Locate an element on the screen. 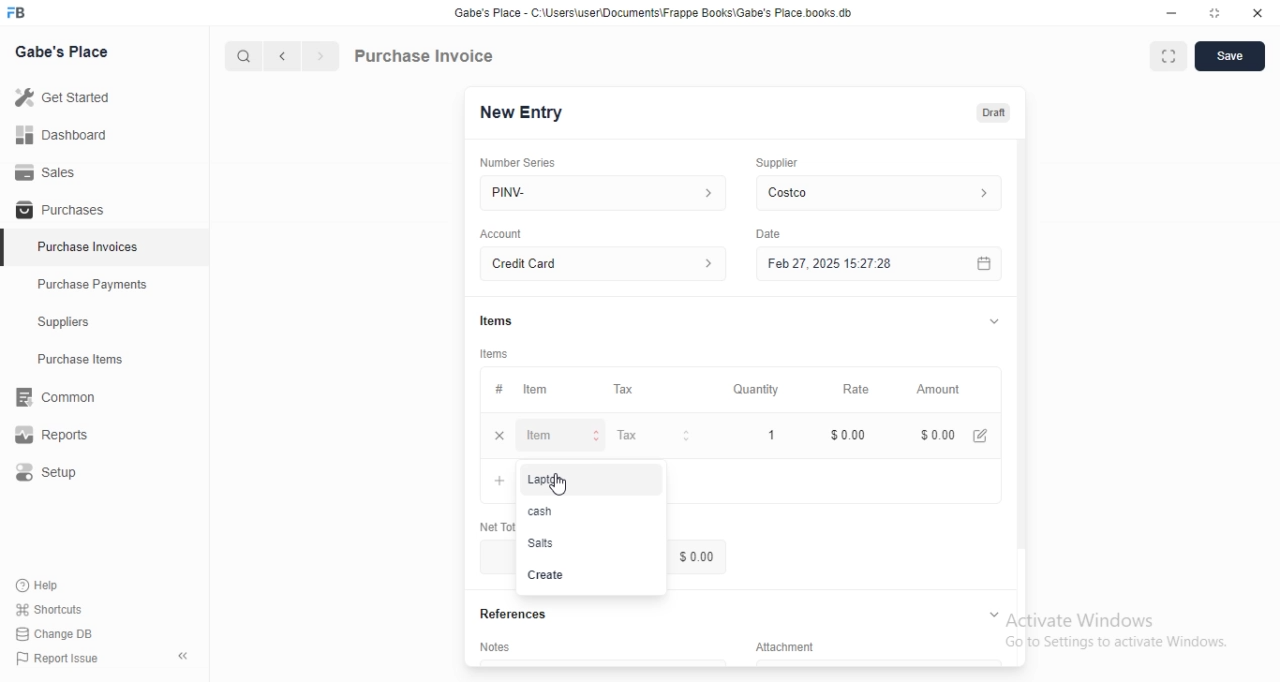 This screenshot has height=682, width=1280. Help is located at coordinates (49, 586).